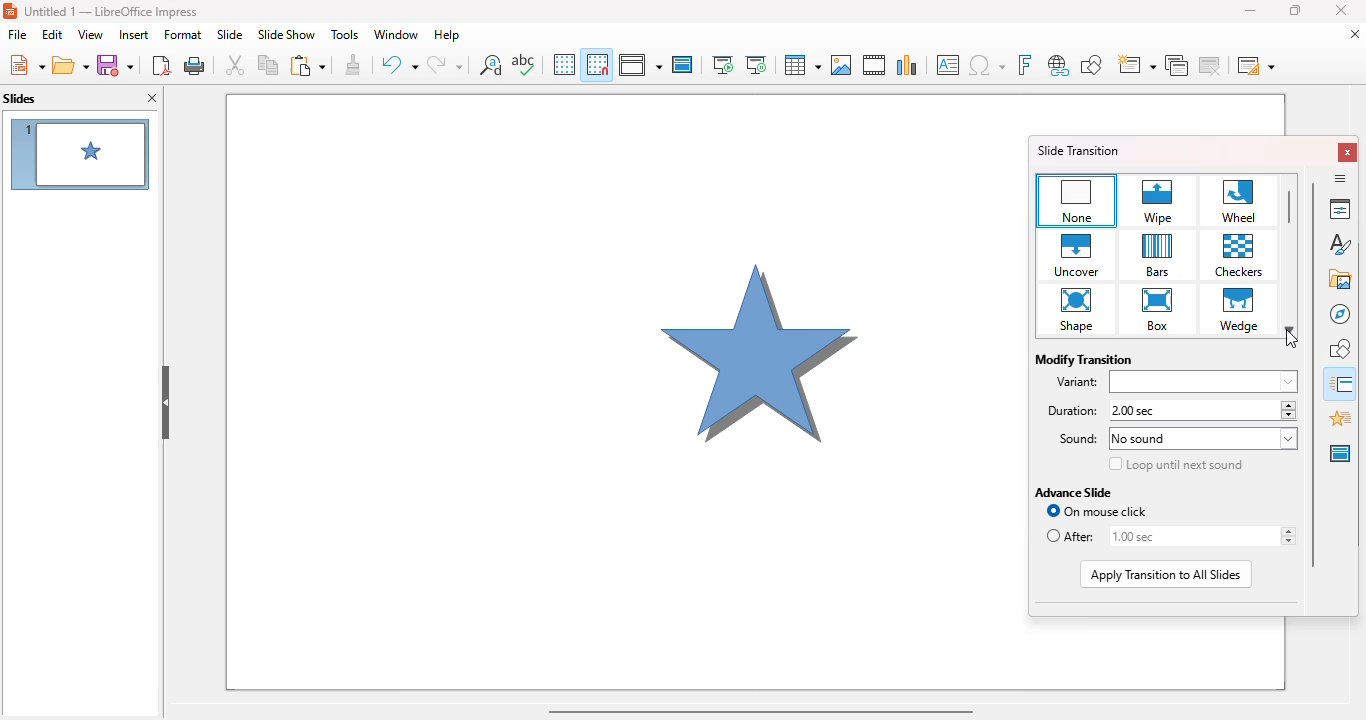 Image resolution: width=1366 pixels, height=720 pixels. I want to click on duration, so click(1067, 410).